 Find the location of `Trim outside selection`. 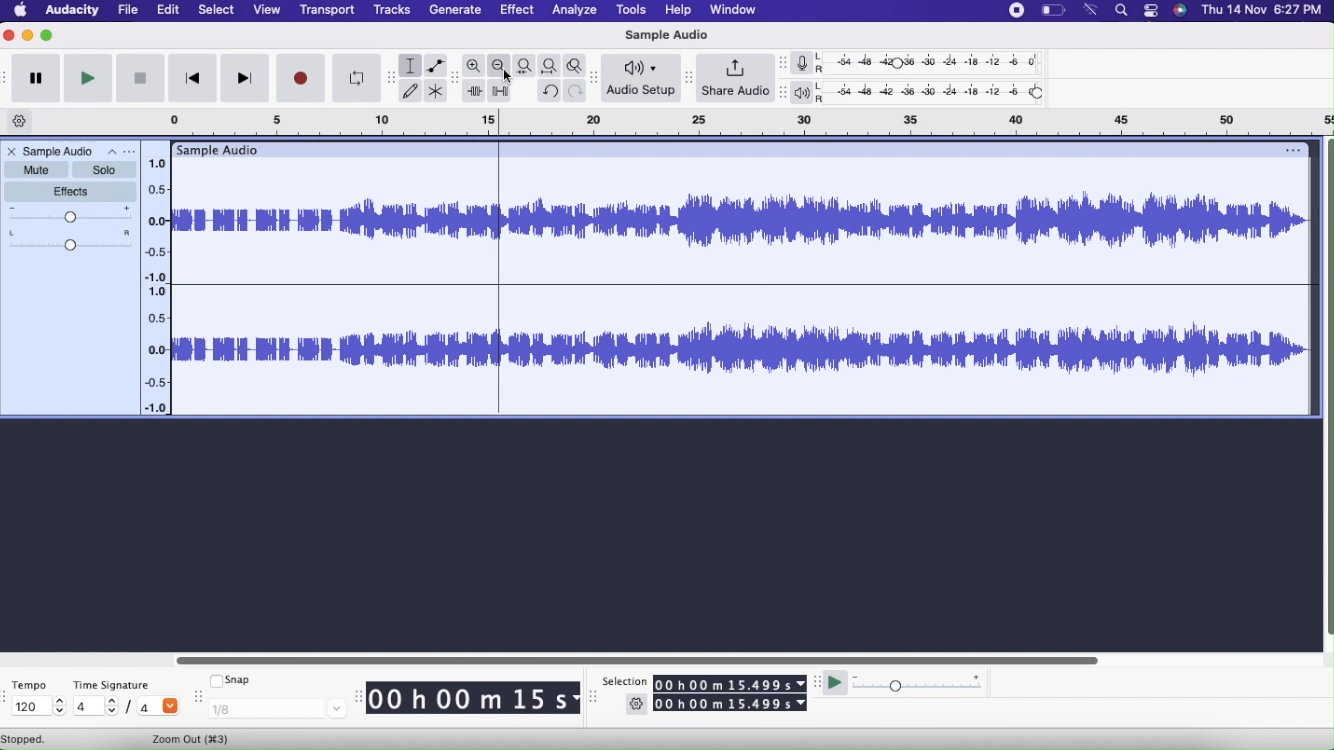

Trim outside selection is located at coordinates (475, 90).